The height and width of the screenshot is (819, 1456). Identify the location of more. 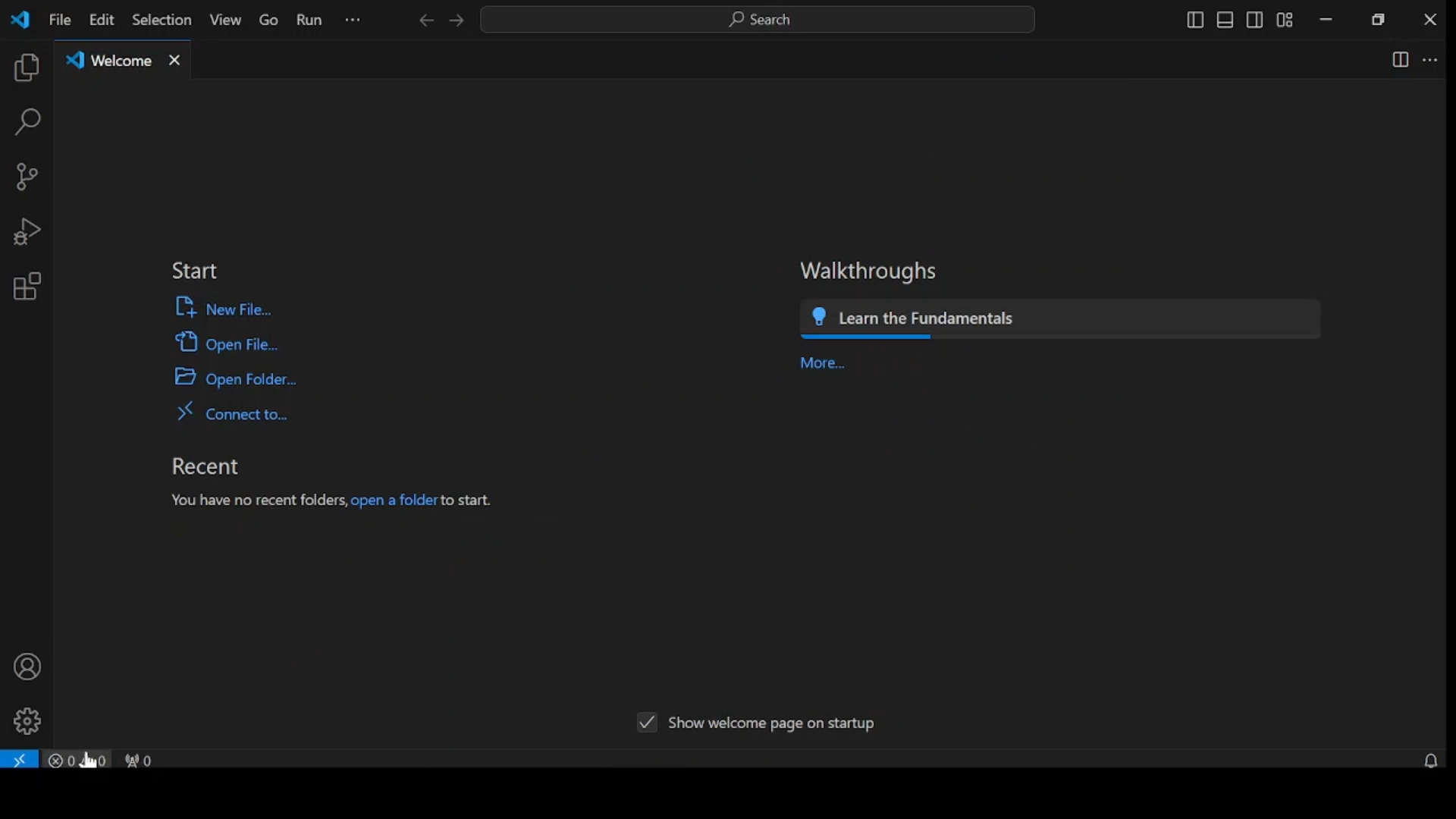
(821, 365).